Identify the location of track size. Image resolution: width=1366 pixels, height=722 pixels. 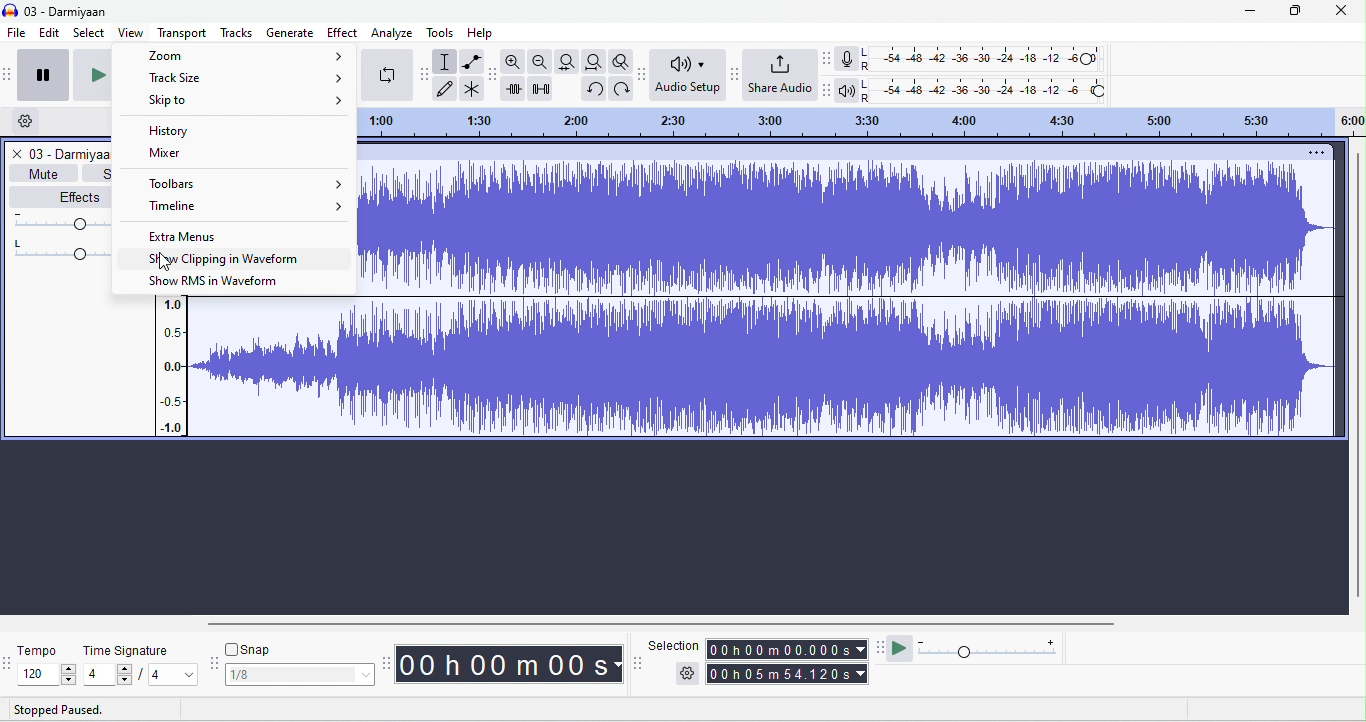
(243, 79).